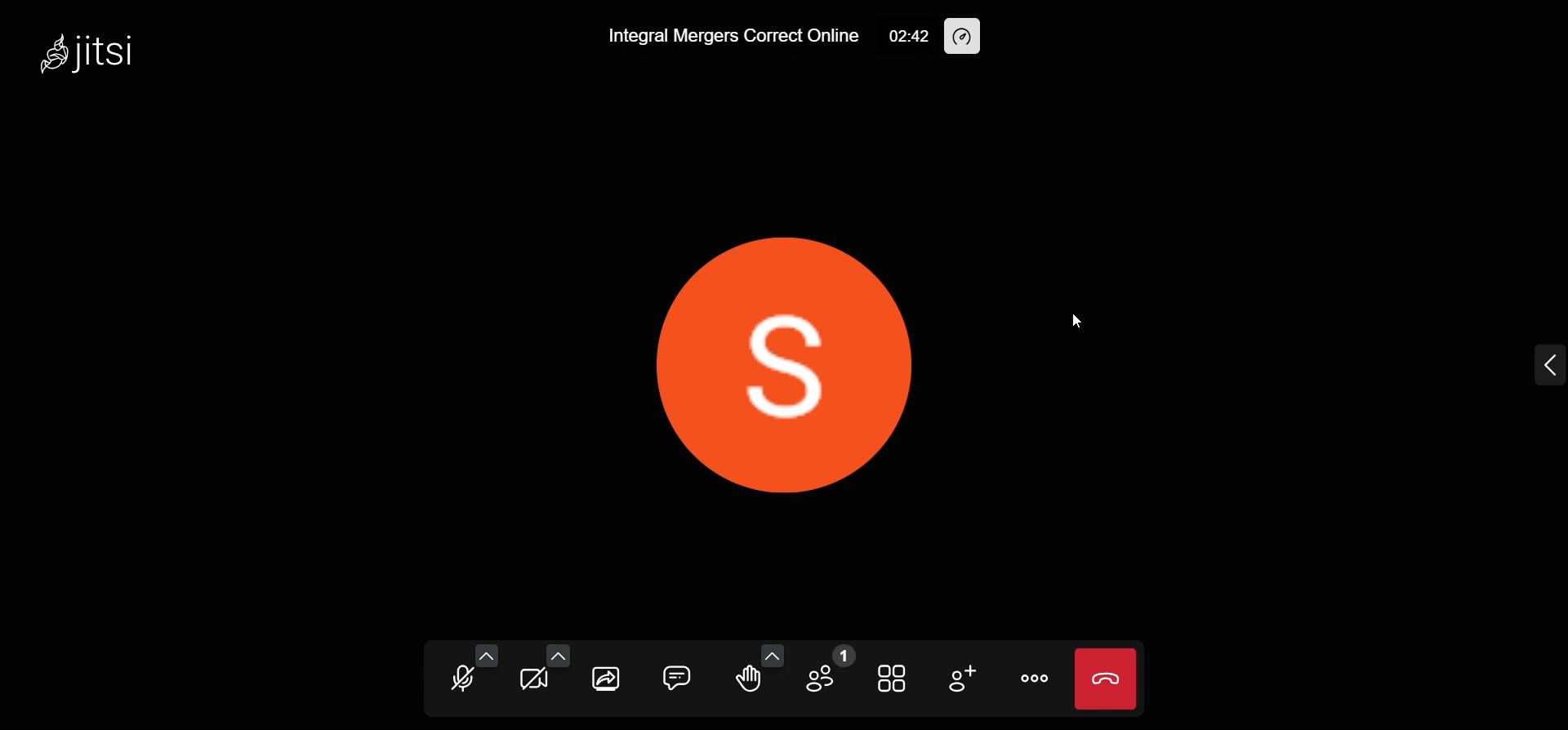 Image resolution: width=1568 pixels, height=730 pixels. I want to click on more reactions, so click(771, 654).